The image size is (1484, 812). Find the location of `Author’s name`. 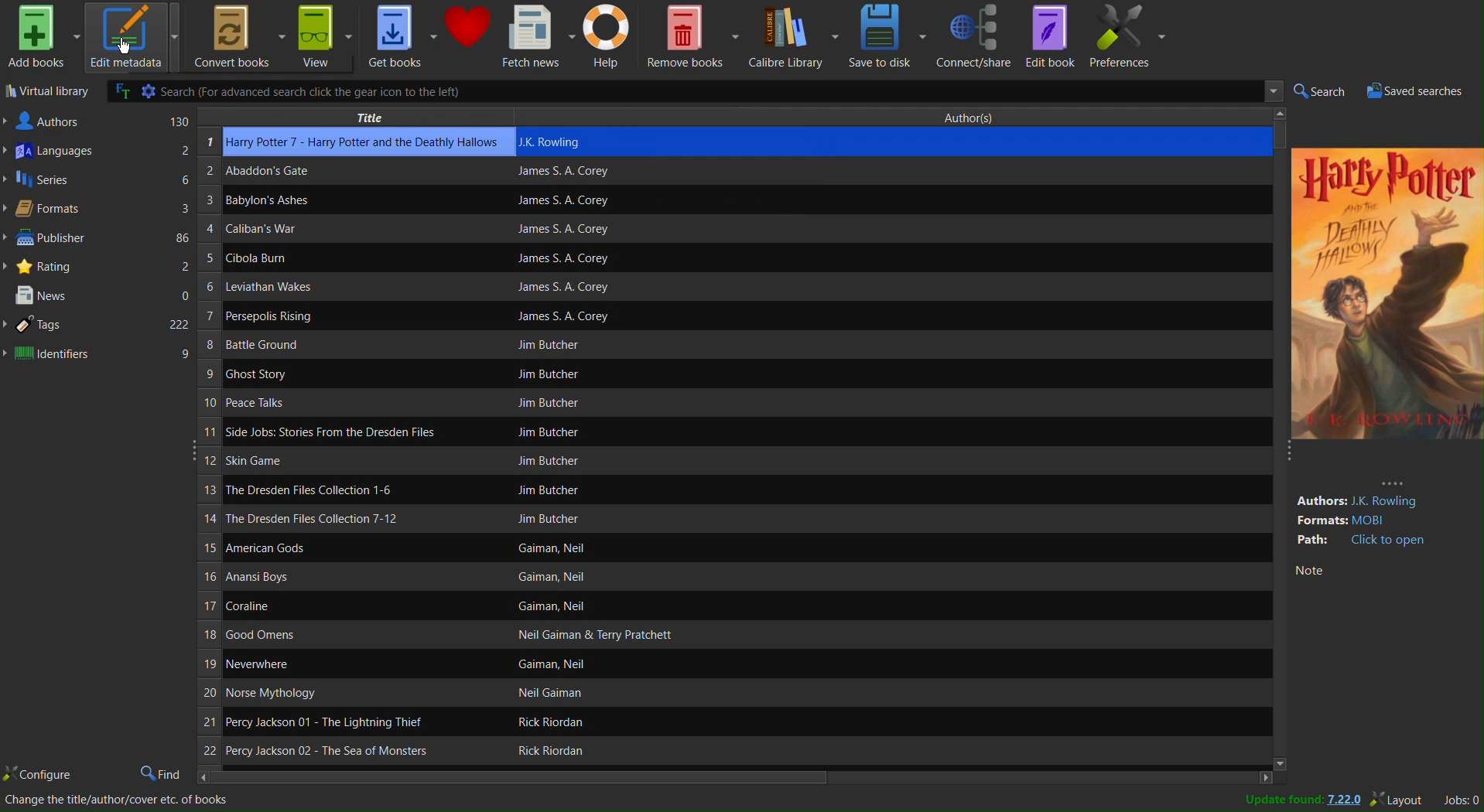

Author’s name is located at coordinates (620, 664).